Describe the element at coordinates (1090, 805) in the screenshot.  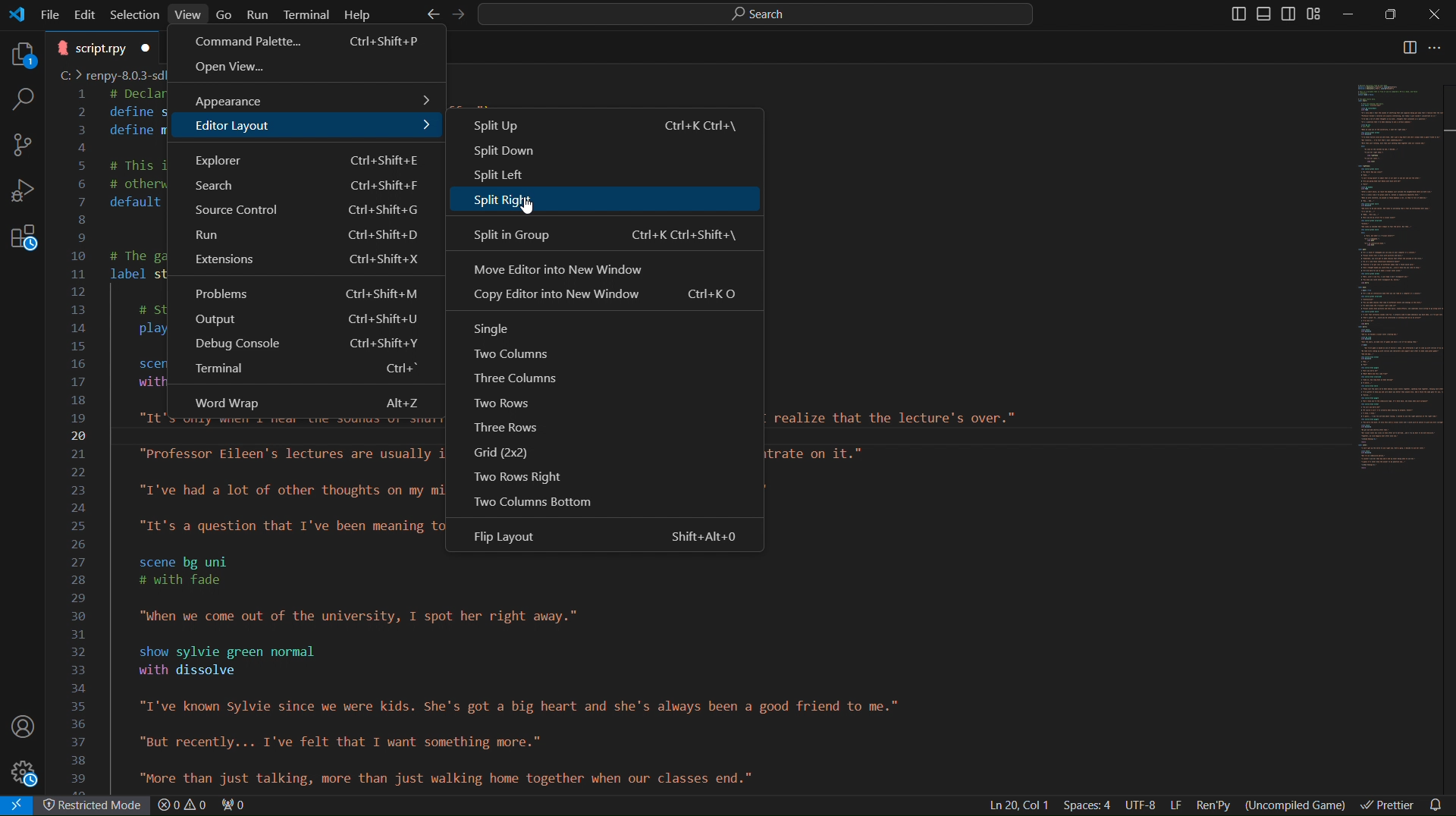
I see `Spaces 4` at that location.